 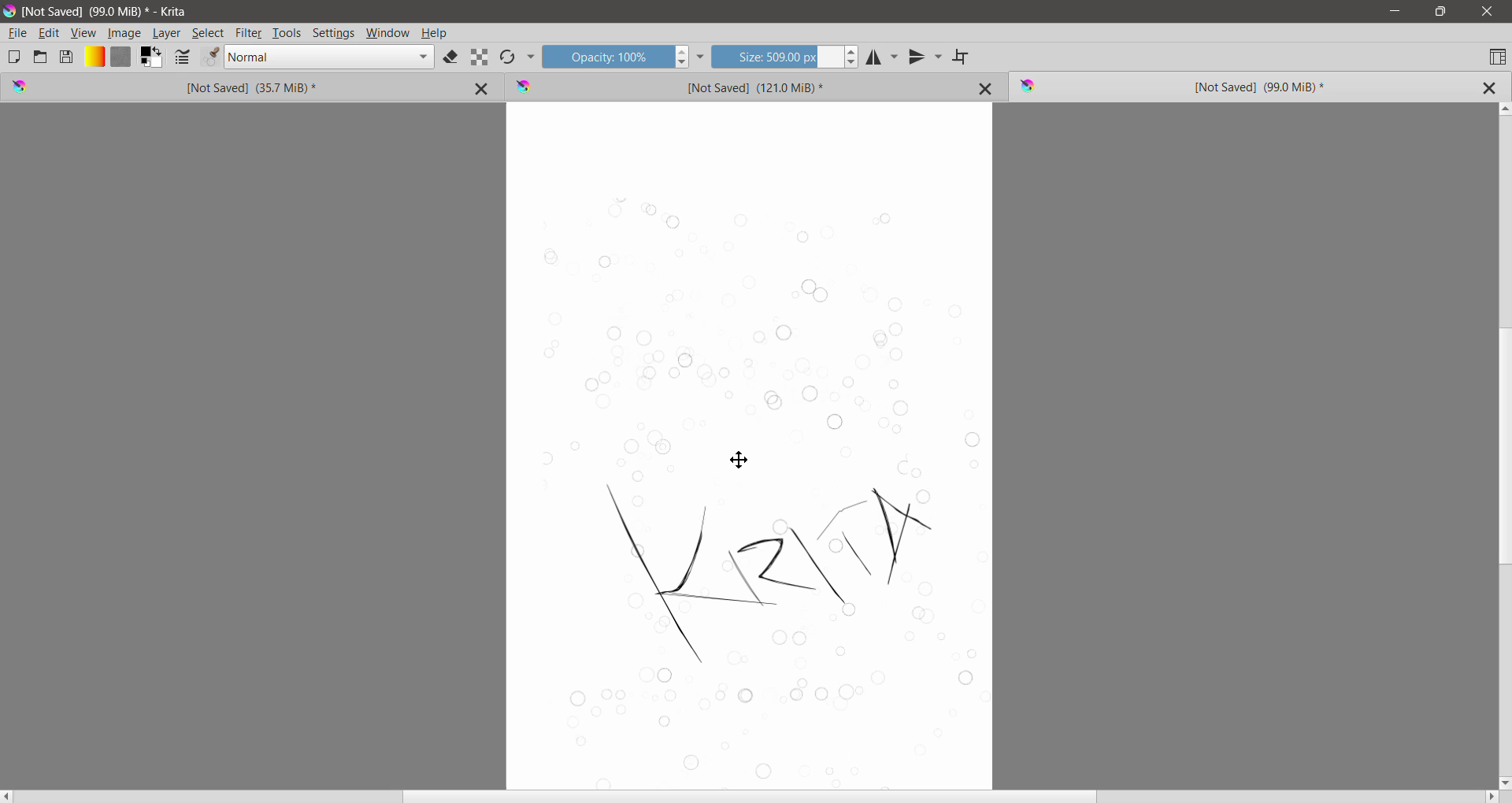 I want to click on View, so click(x=83, y=33).